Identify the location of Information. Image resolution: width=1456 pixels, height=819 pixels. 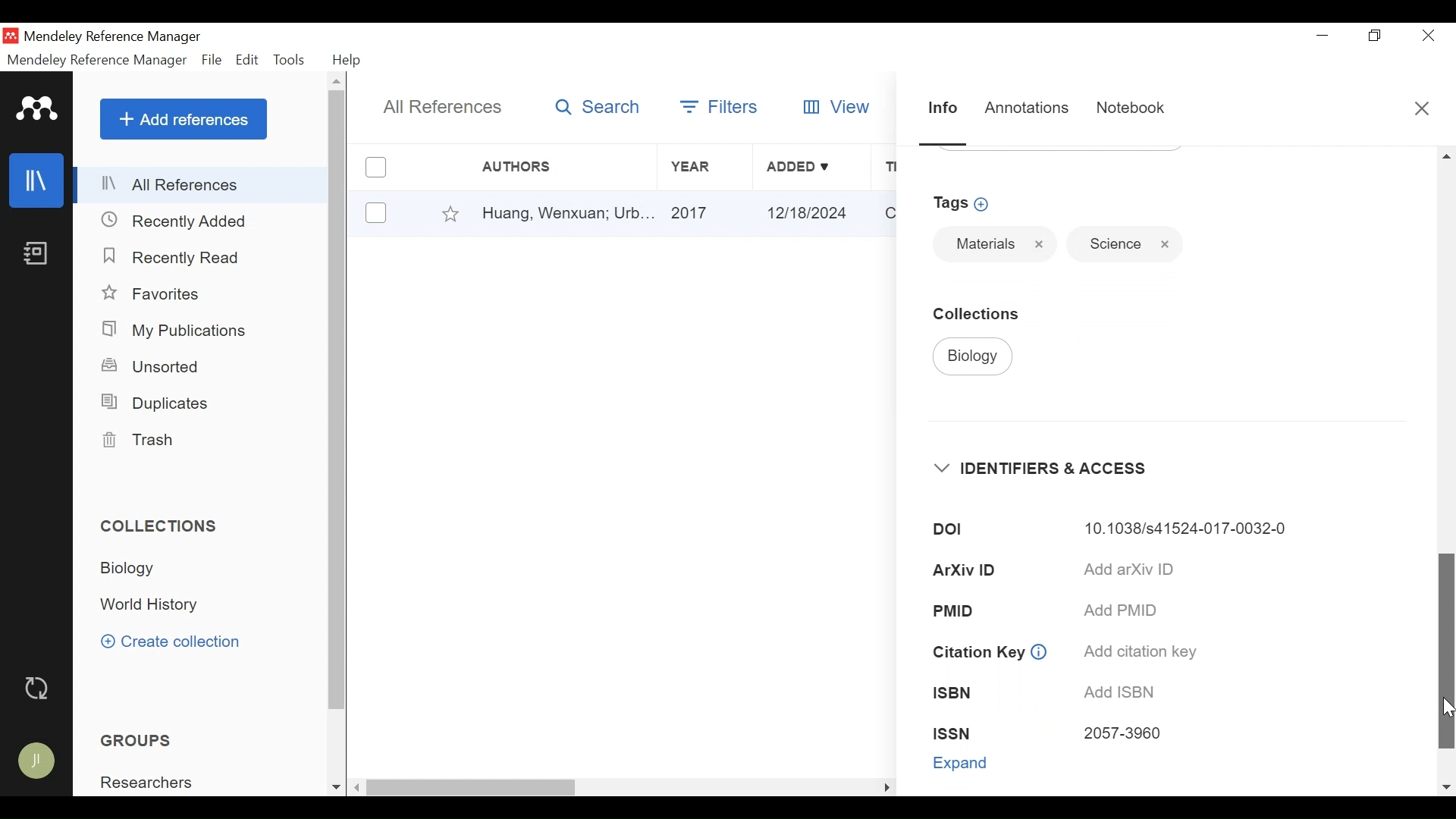
(940, 107).